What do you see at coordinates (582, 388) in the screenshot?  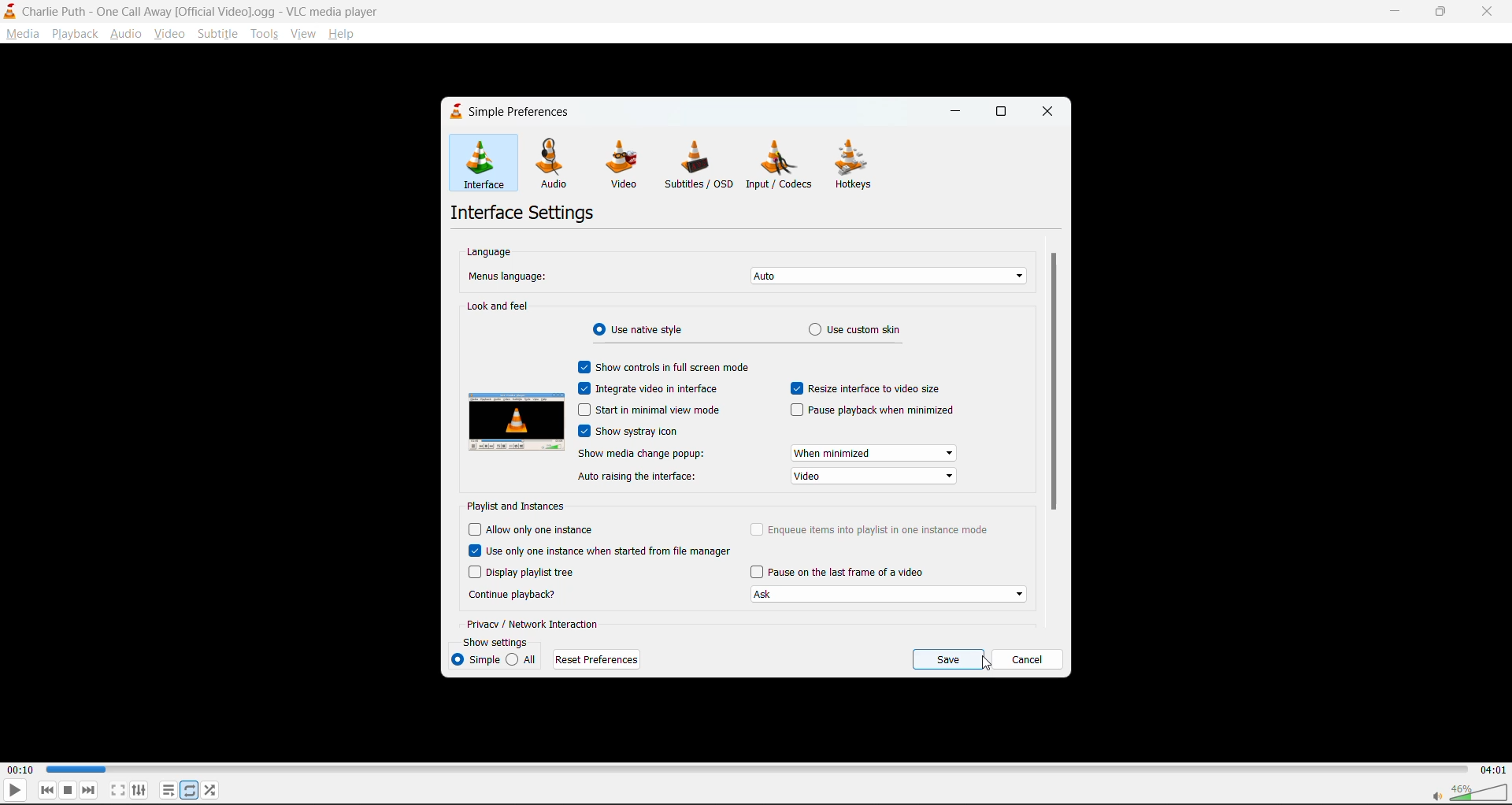 I see `Checbox` at bounding box center [582, 388].